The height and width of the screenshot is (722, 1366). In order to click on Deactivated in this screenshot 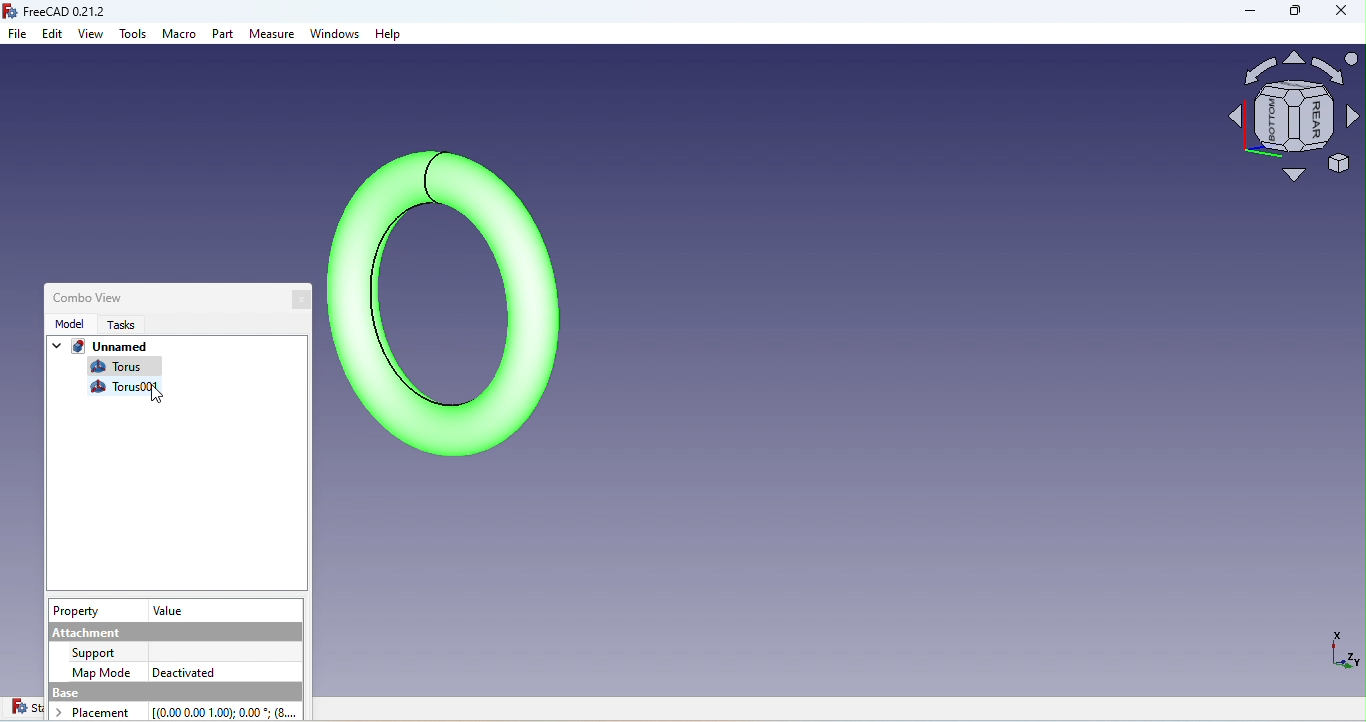, I will do `click(183, 670)`.